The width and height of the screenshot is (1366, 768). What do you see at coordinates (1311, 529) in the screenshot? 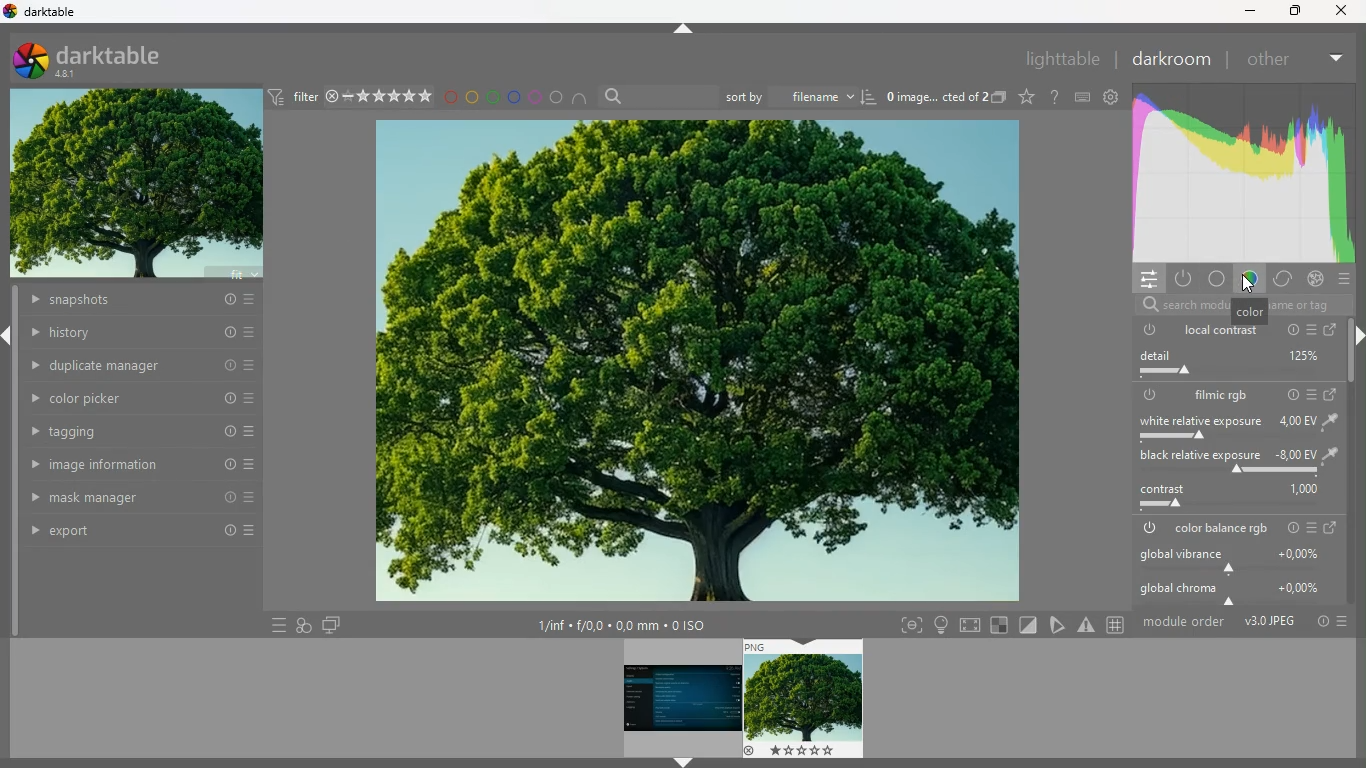
I see `menu` at bounding box center [1311, 529].